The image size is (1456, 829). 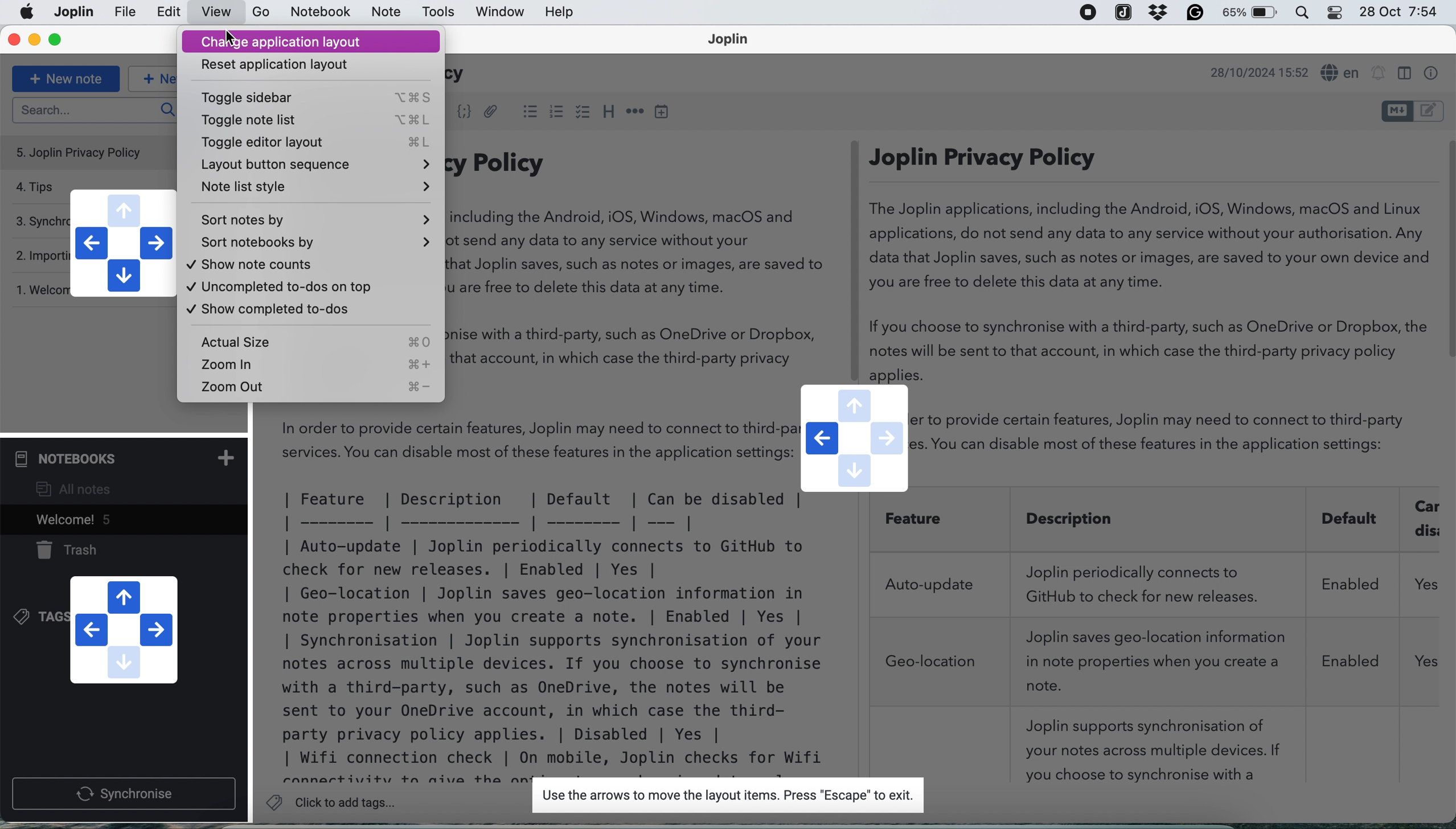 What do you see at coordinates (233, 36) in the screenshot?
I see `cursor` at bounding box center [233, 36].